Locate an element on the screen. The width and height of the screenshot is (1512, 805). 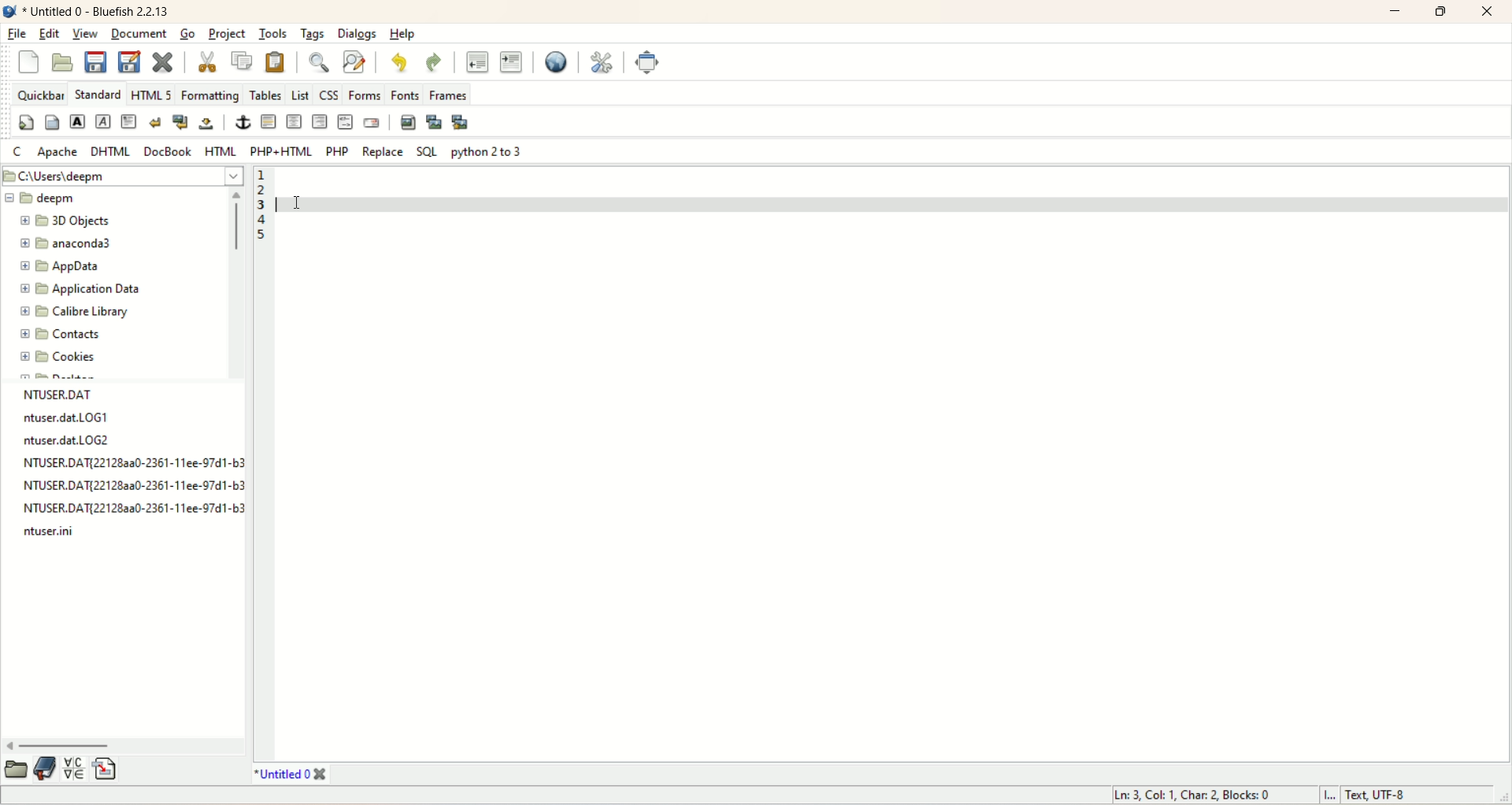
quickbar is located at coordinates (39, 96).